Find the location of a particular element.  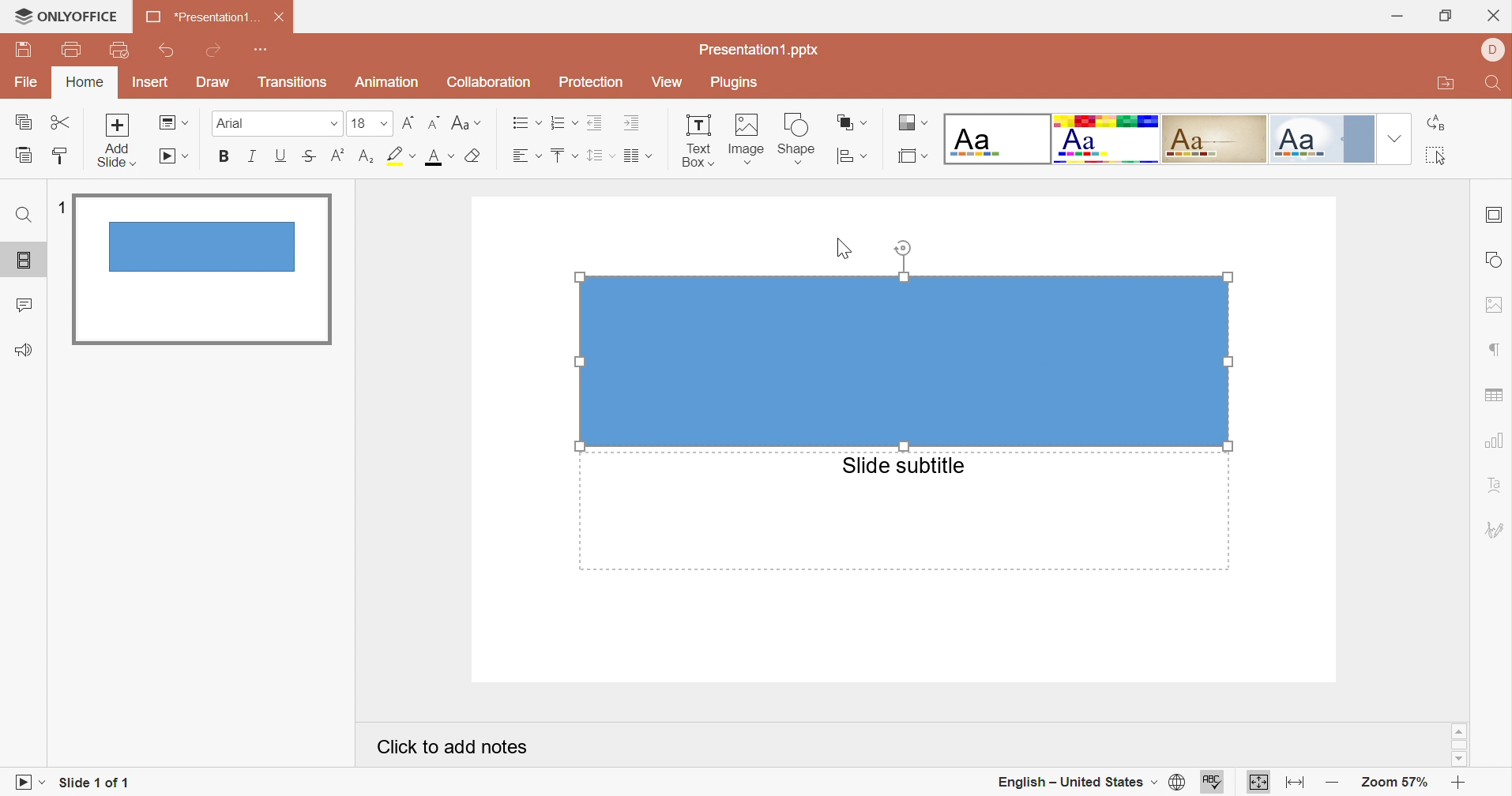

Decrease indent is located at coordinates (596, 122).